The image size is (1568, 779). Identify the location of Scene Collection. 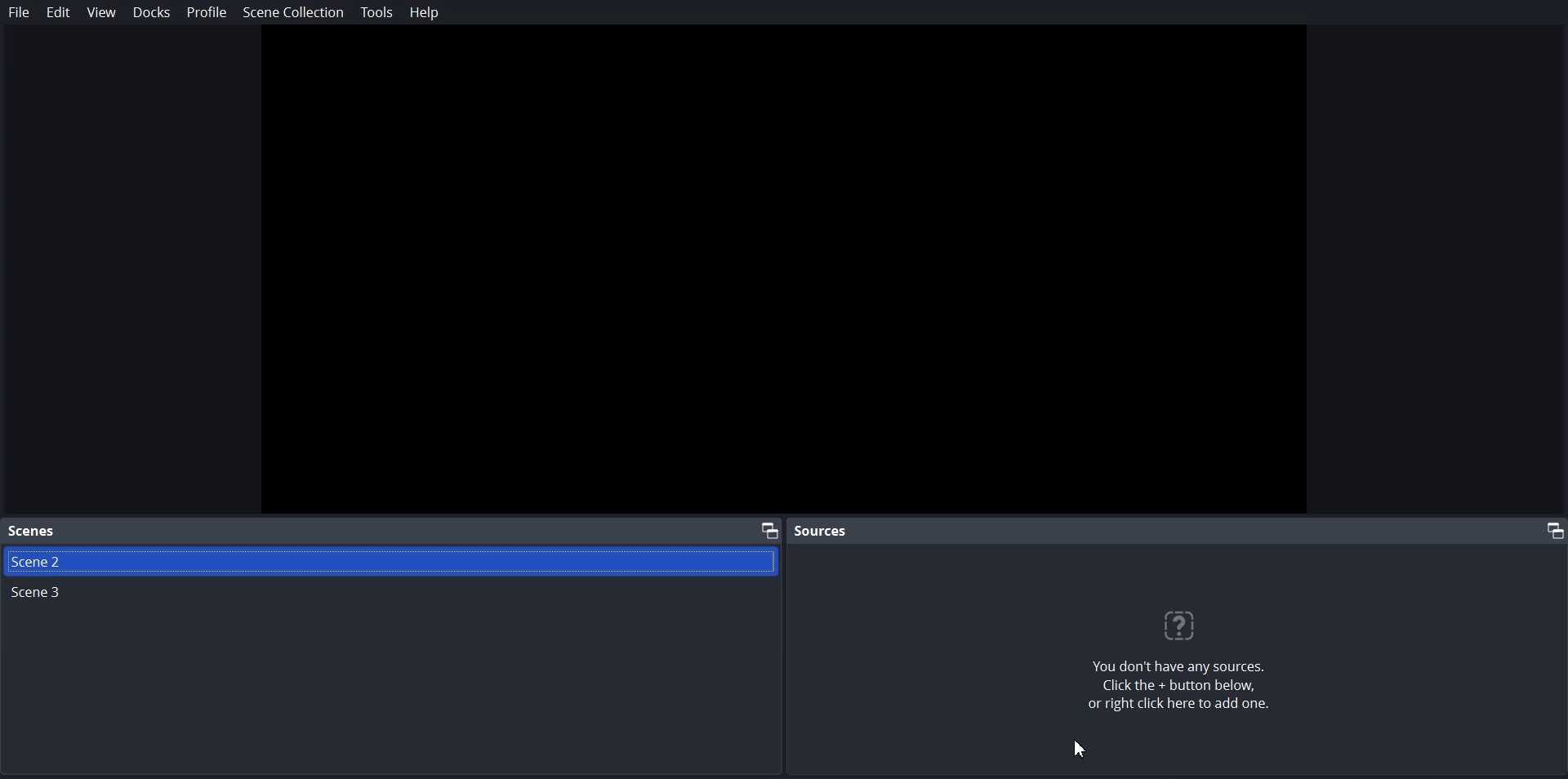
(293, 12).